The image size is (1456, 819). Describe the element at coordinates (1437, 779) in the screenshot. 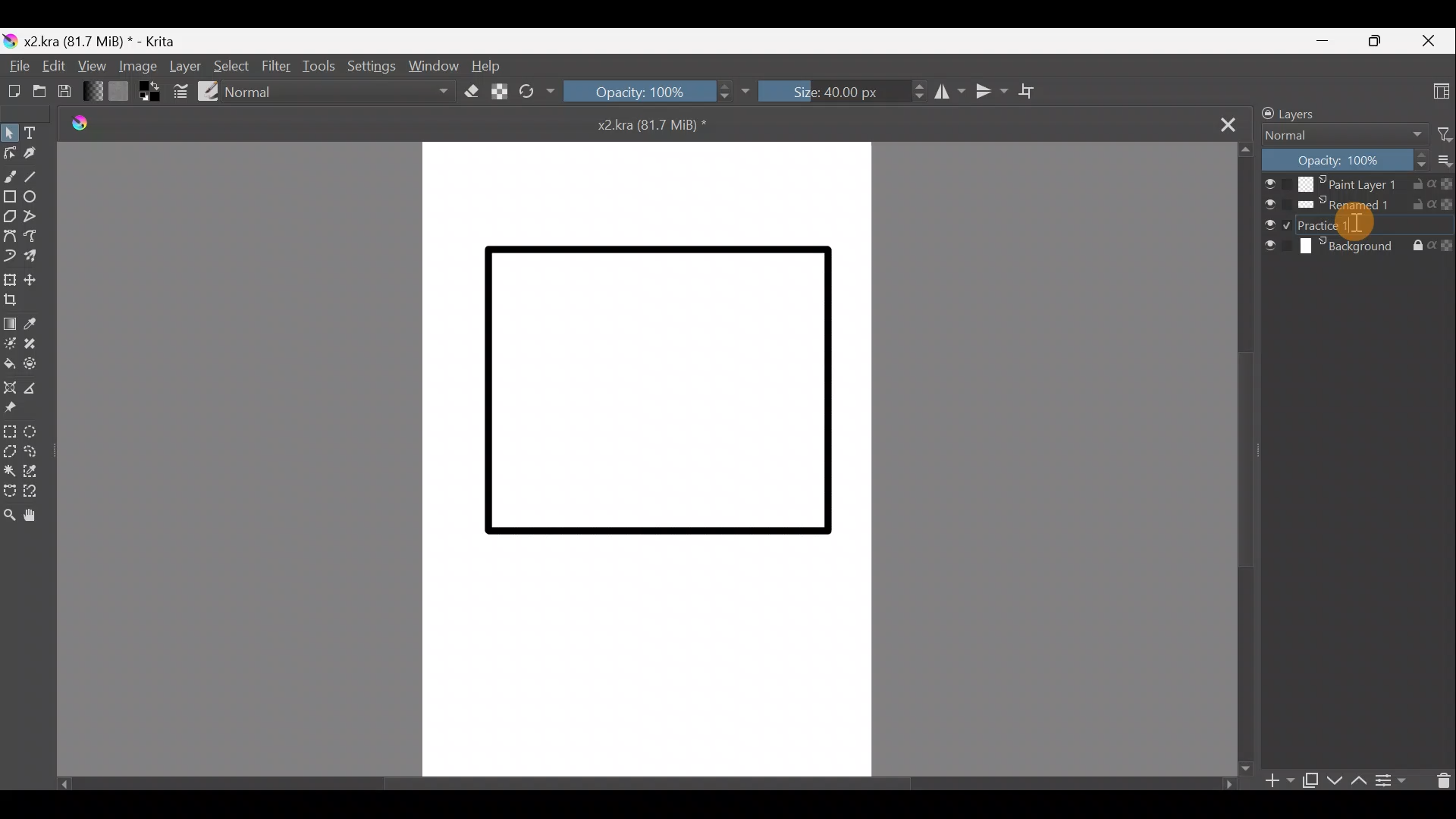

I see `Delete the layer/mask` at that location.